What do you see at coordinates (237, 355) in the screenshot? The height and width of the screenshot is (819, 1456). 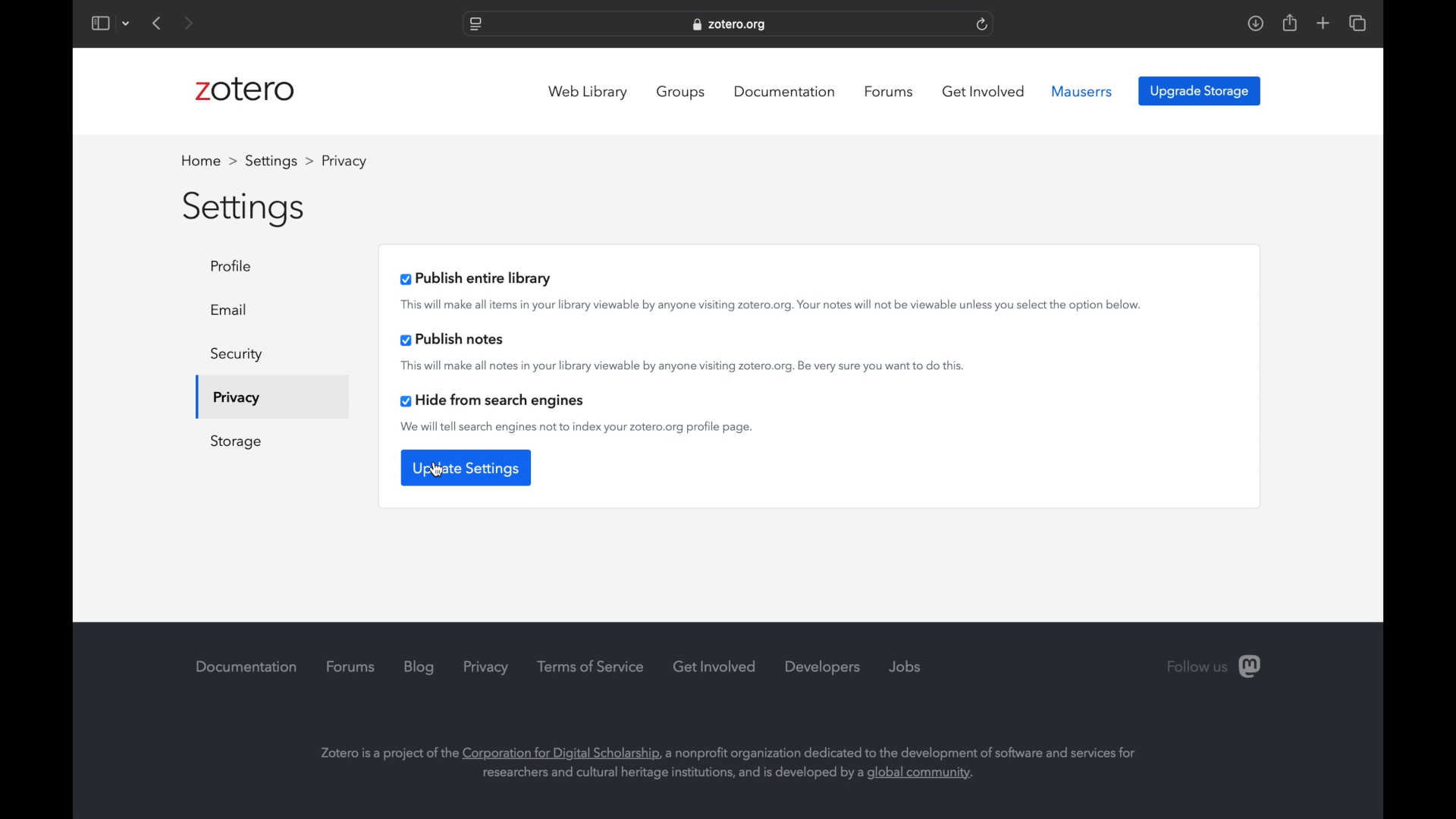 I see `security` at bounding box center [237, 355].